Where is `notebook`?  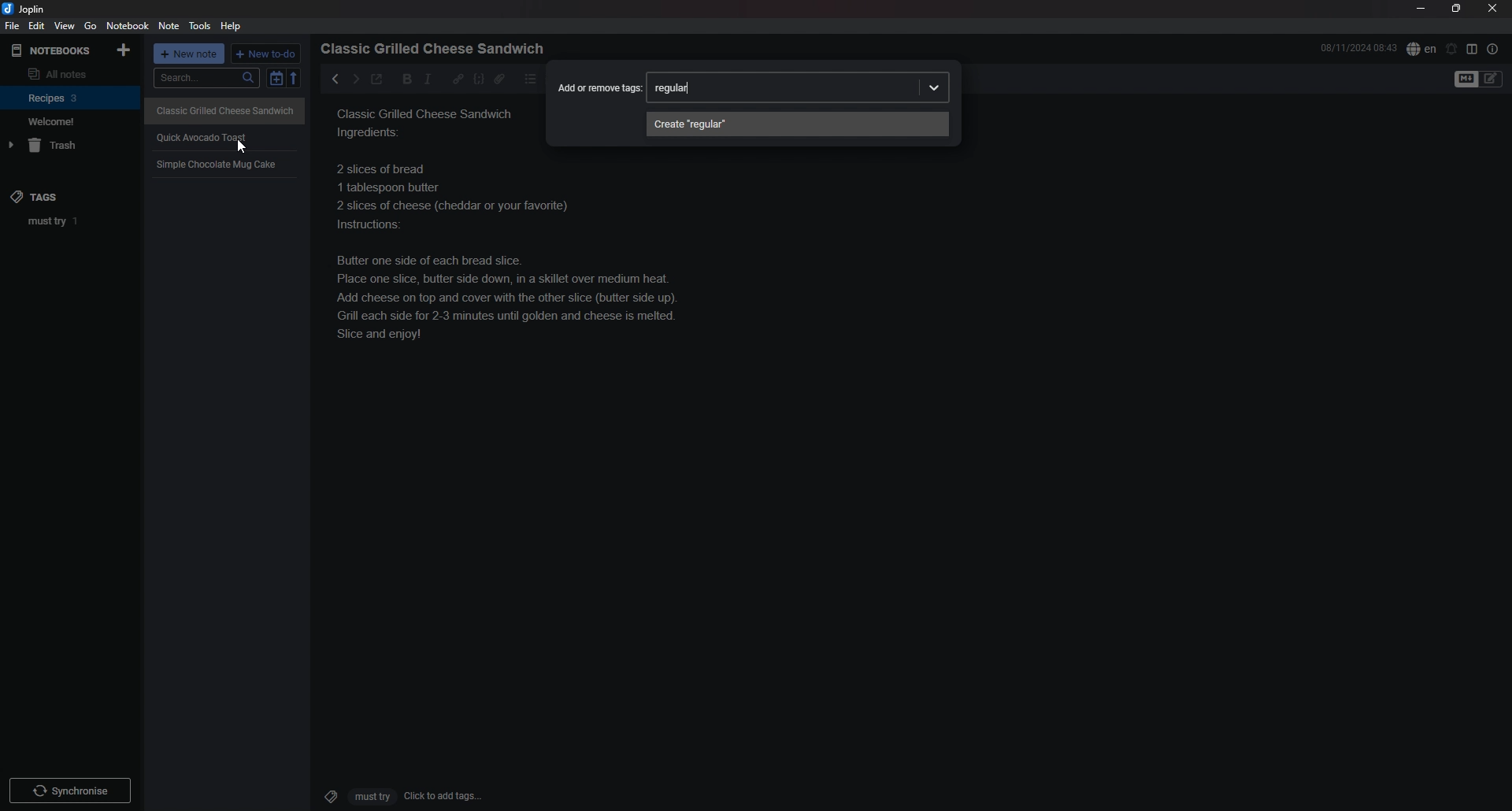 notebook is located at coordinates (71, 97).